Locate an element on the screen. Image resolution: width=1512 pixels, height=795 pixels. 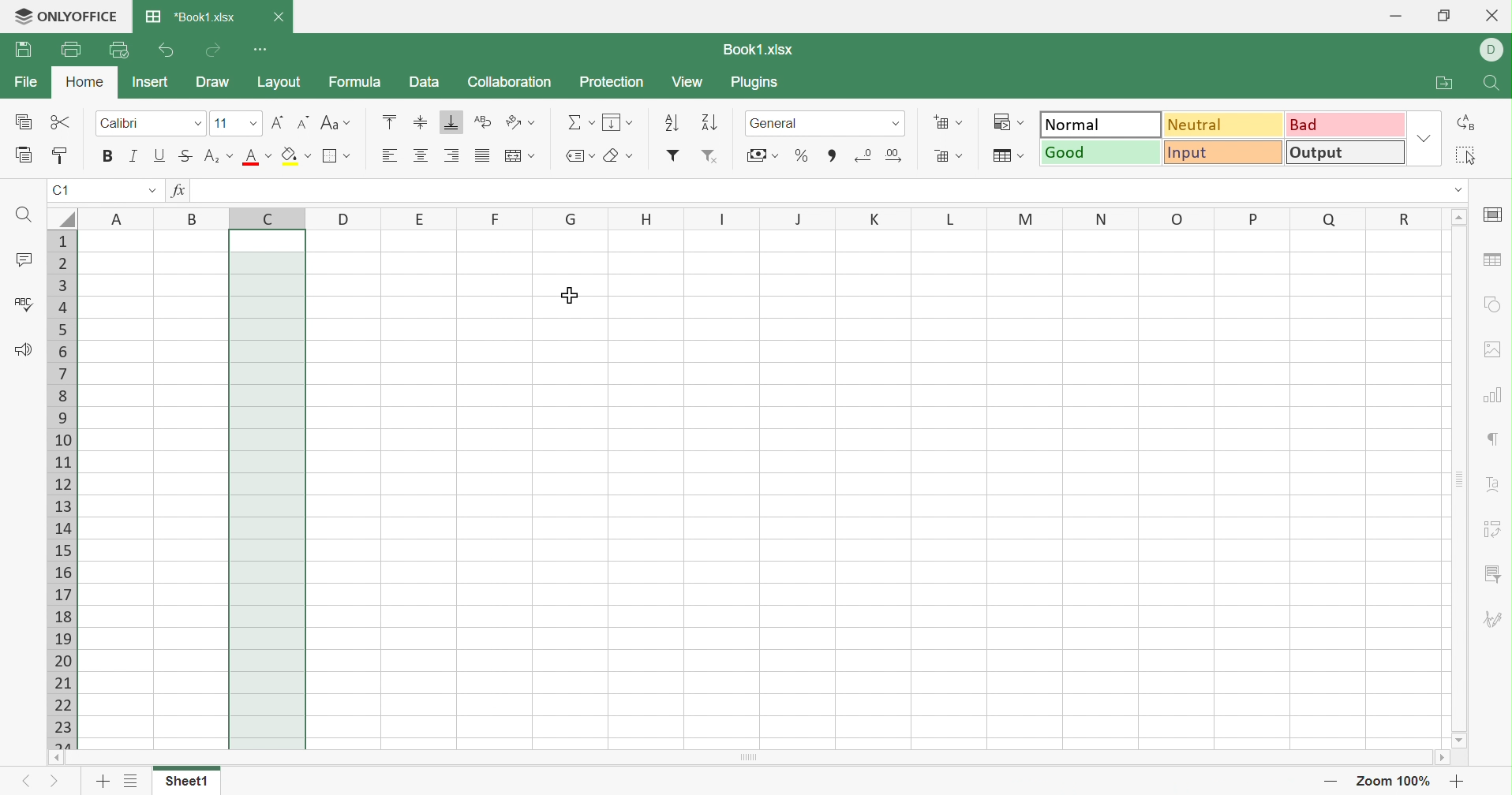
11 is located at coordinates (224, 121).